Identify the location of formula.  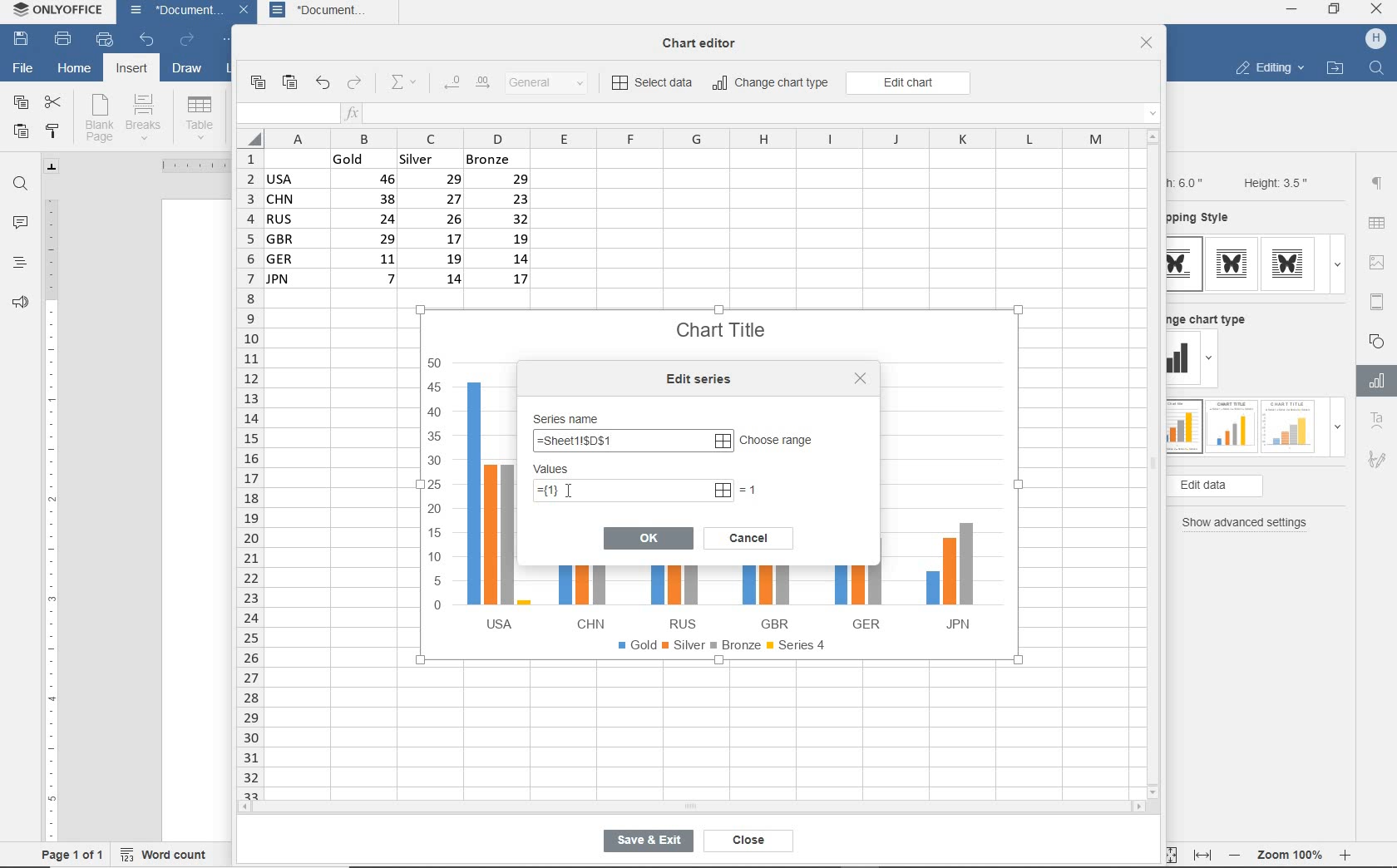
(629, 442).